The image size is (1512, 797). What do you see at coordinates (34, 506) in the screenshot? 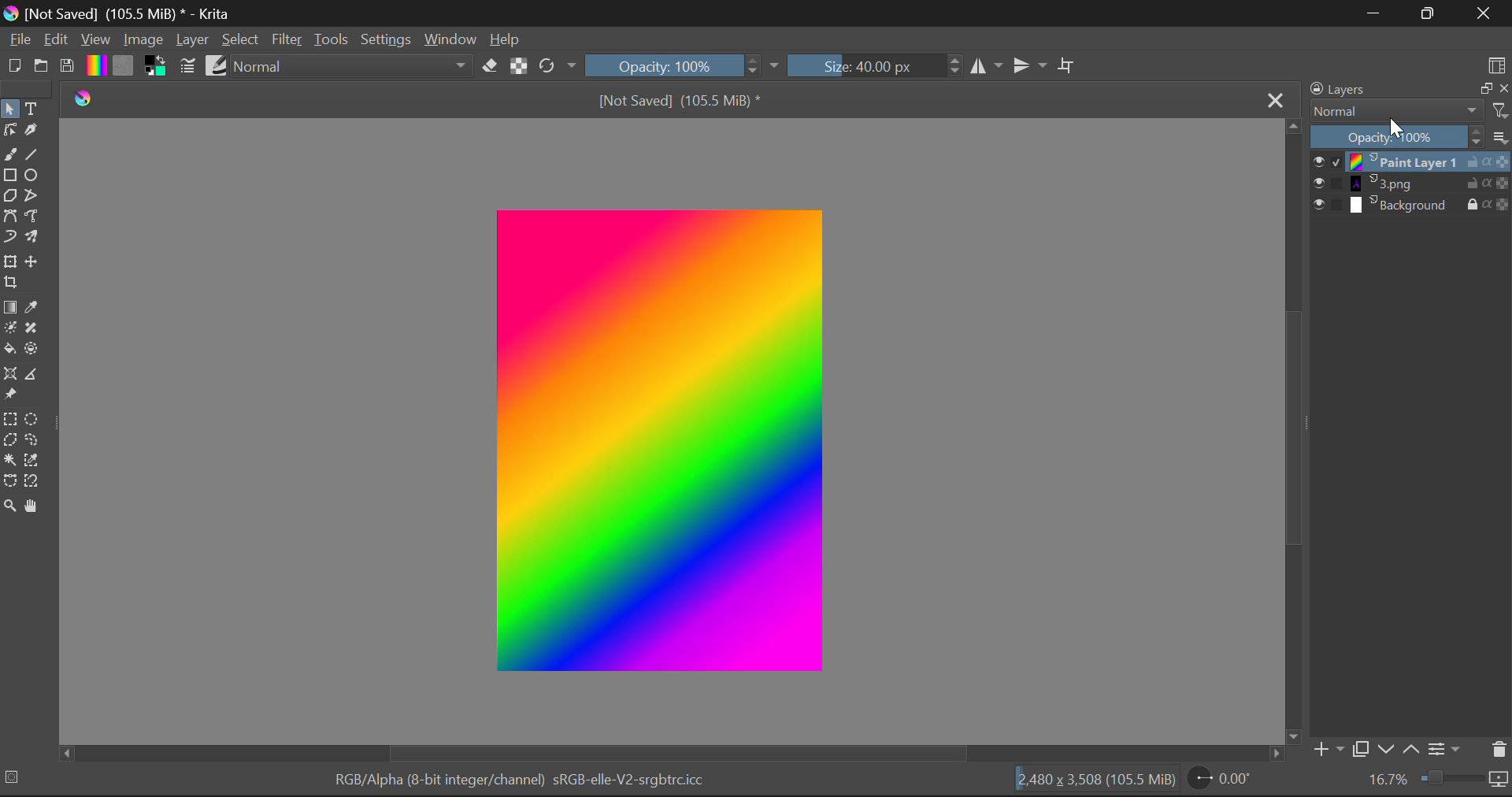
I see `Pan` at bounding box center [34, 506].